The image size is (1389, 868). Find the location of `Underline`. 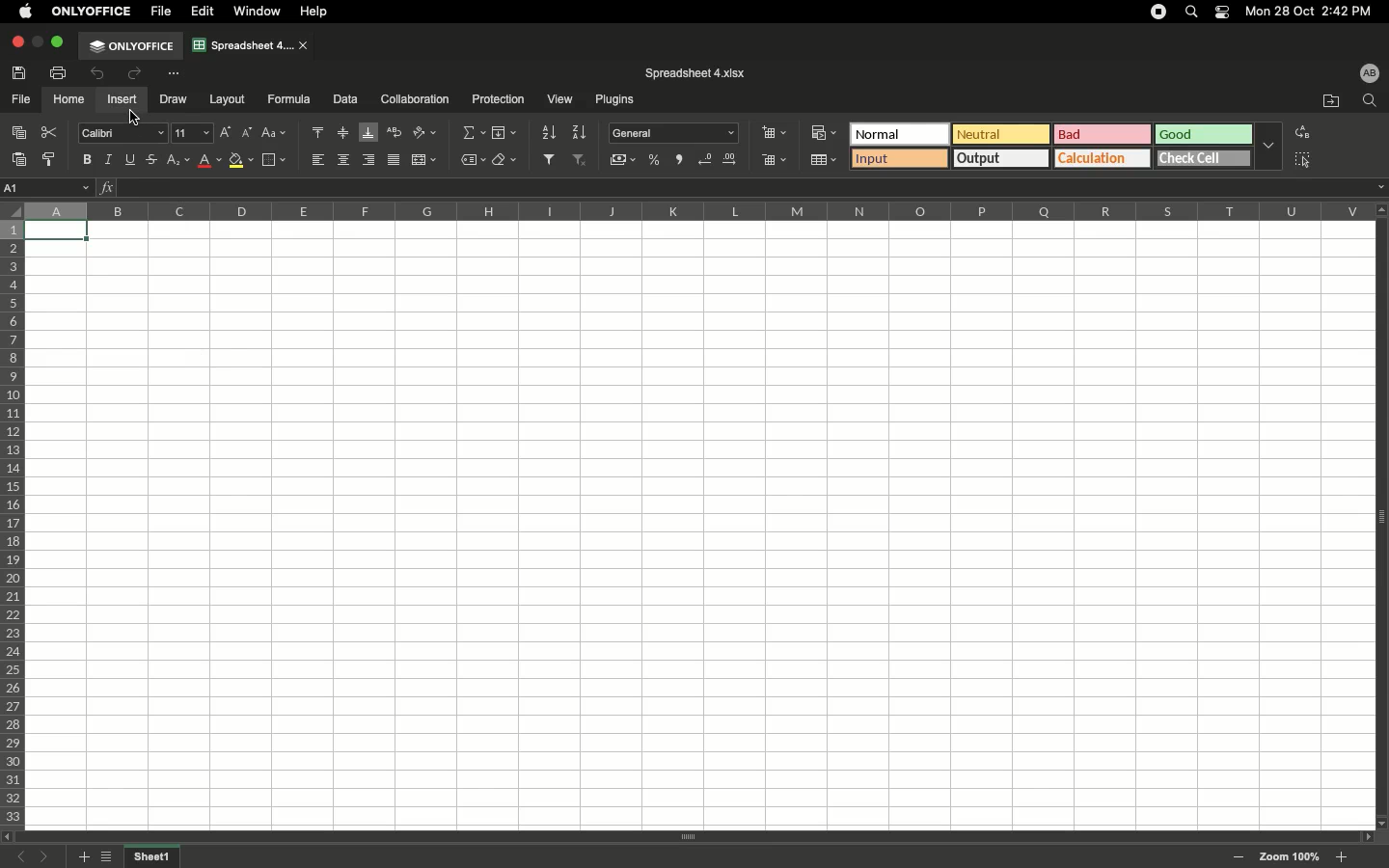

Underline is located at coordinates (132, 159).